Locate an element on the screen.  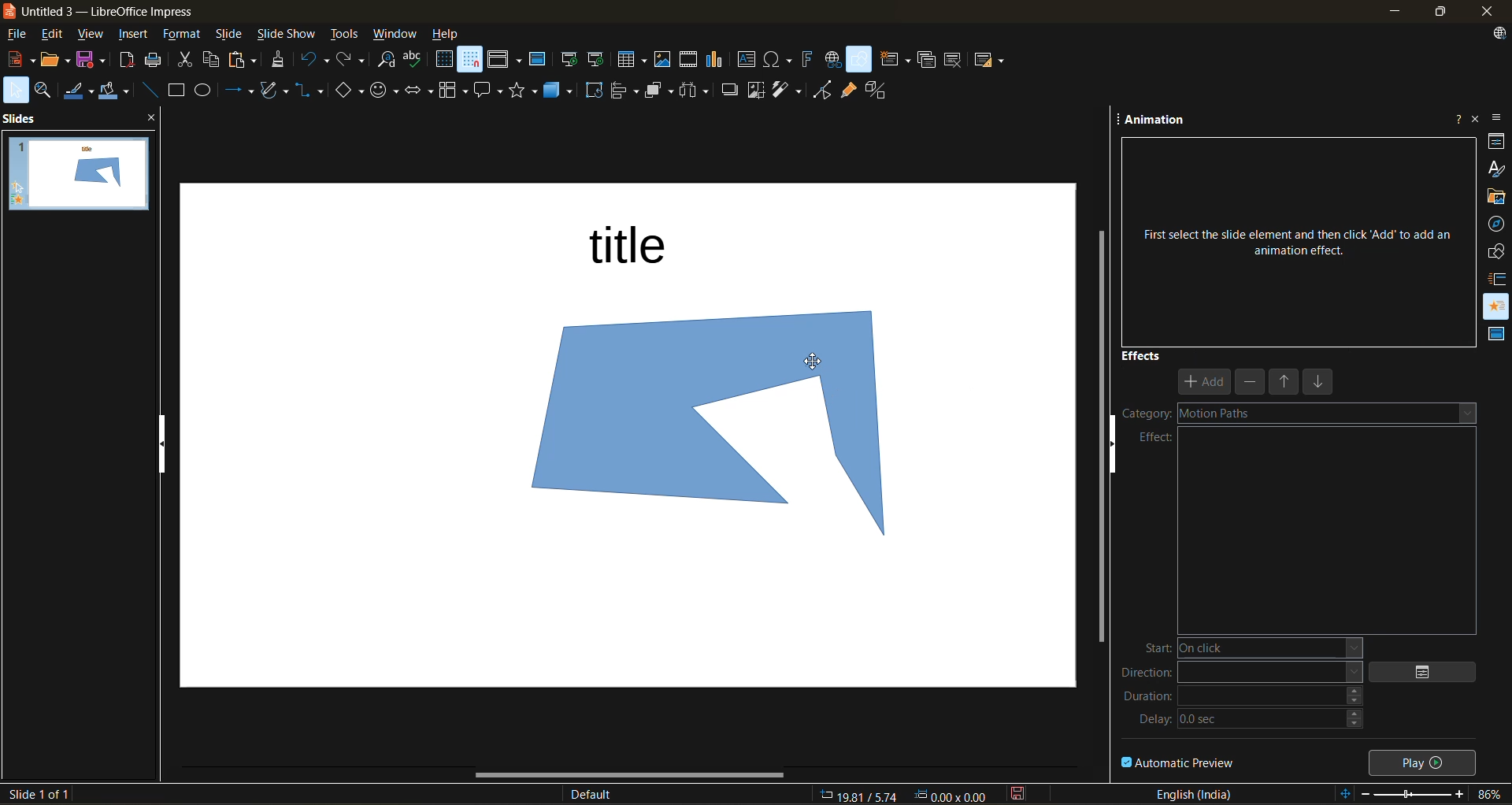
remove effect is located at coordinates (1253, 382).